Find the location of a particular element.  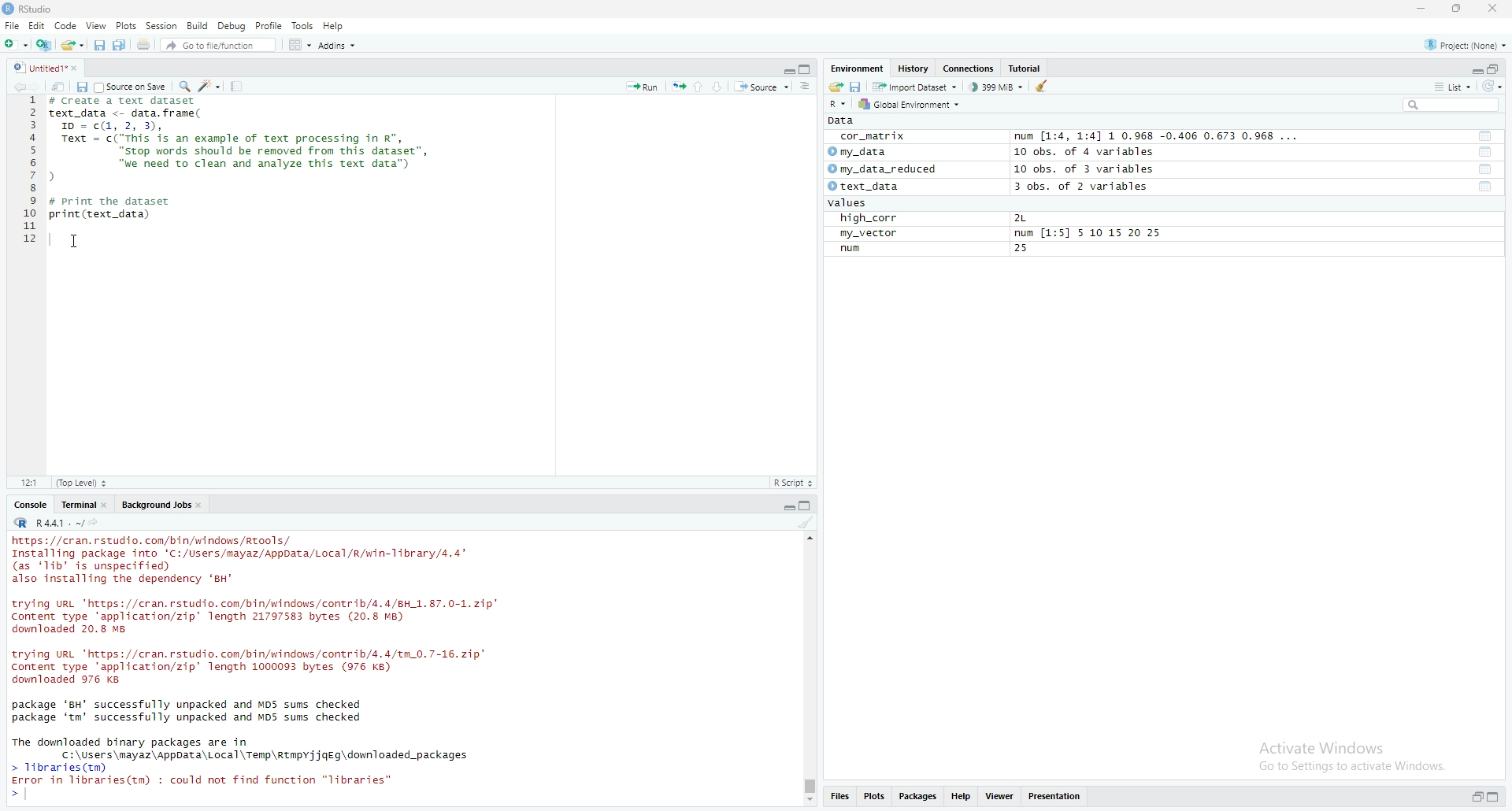

code is located at coordinates (65, 25).